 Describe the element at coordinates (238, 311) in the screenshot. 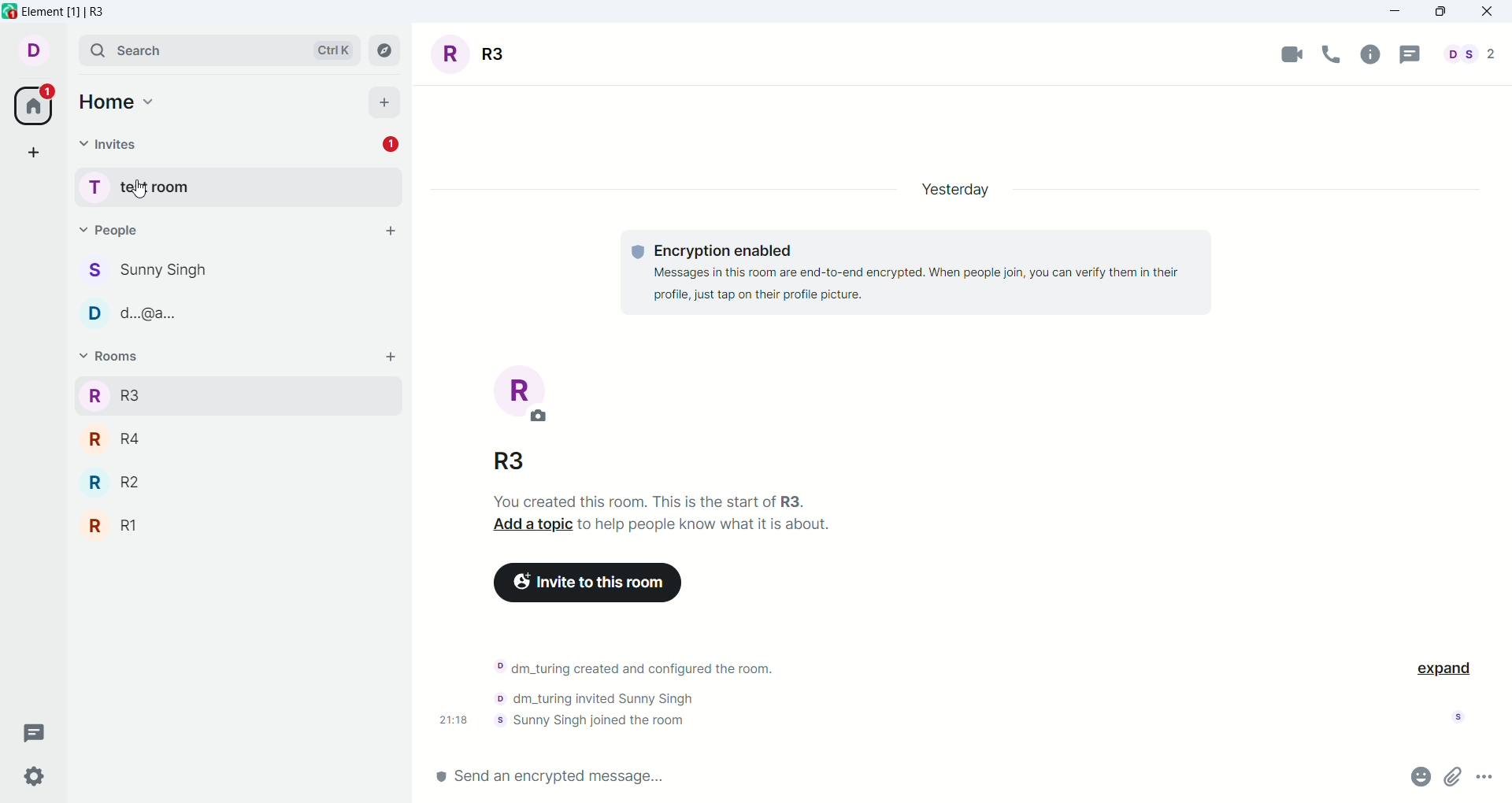

I see `d...@...` at that location.